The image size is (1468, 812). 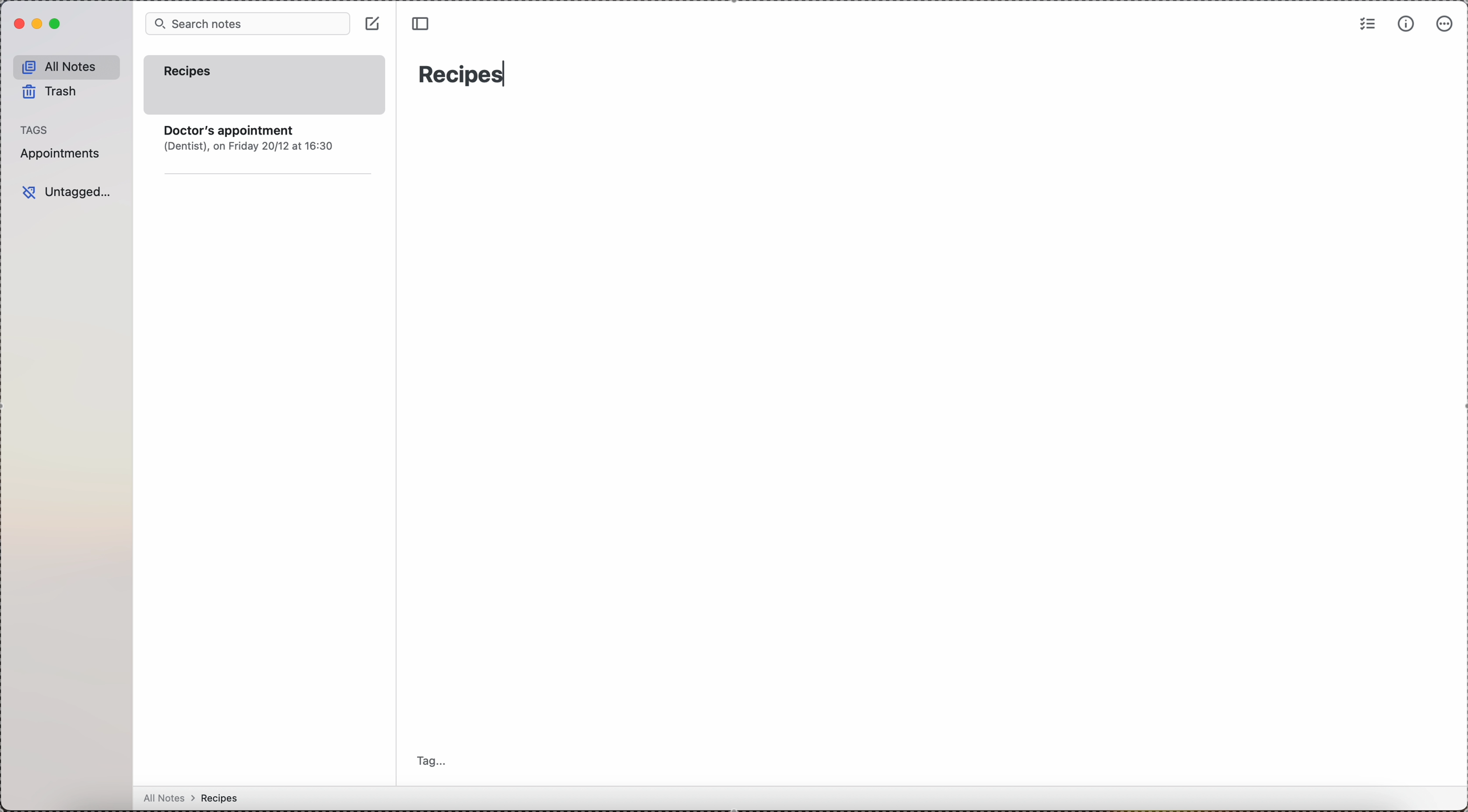 I want to click on appointments tag, so click(x=63, y=156).